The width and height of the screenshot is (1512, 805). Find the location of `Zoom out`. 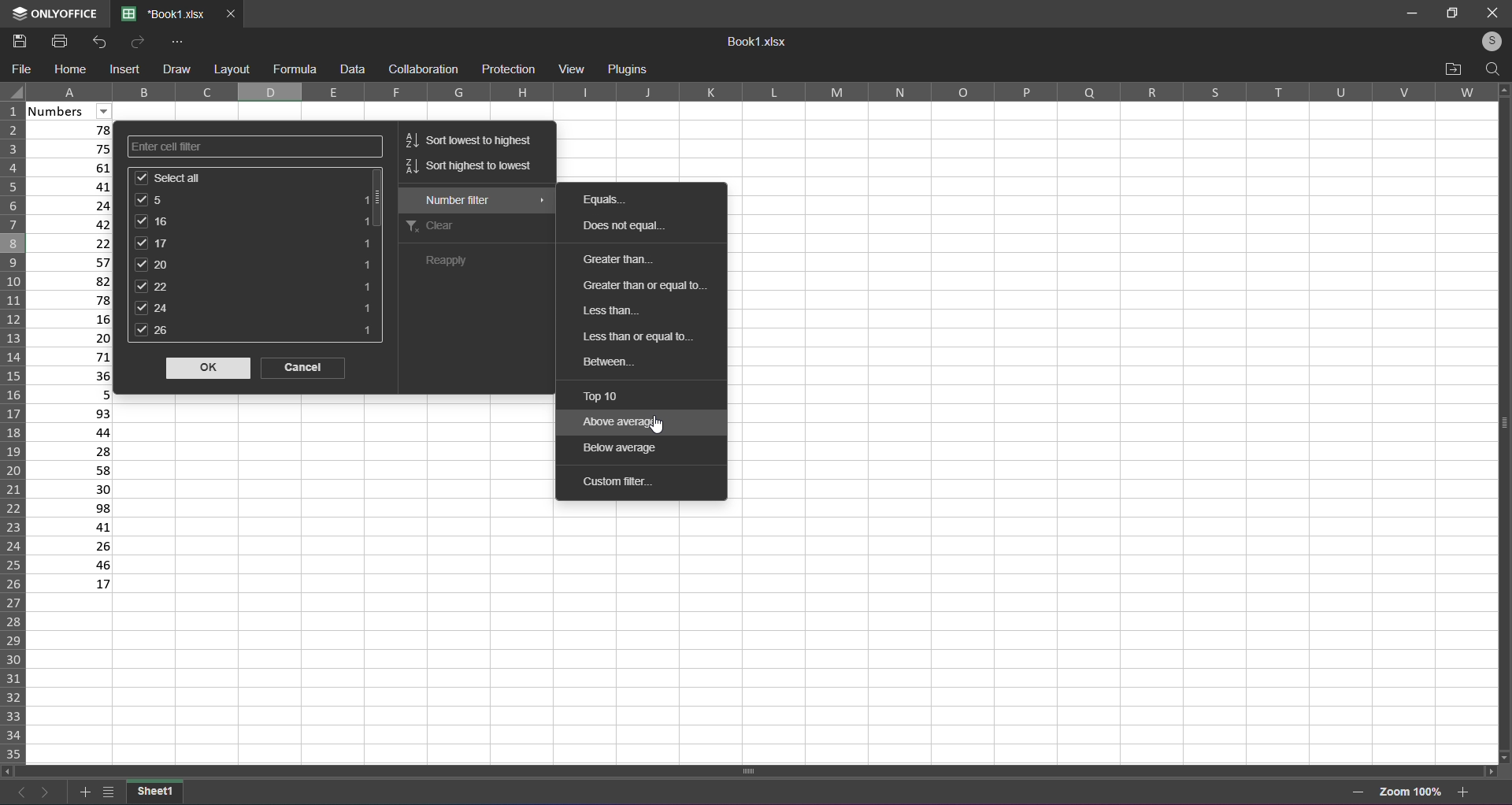

Zoom out is located at coordinates (1358, 792).